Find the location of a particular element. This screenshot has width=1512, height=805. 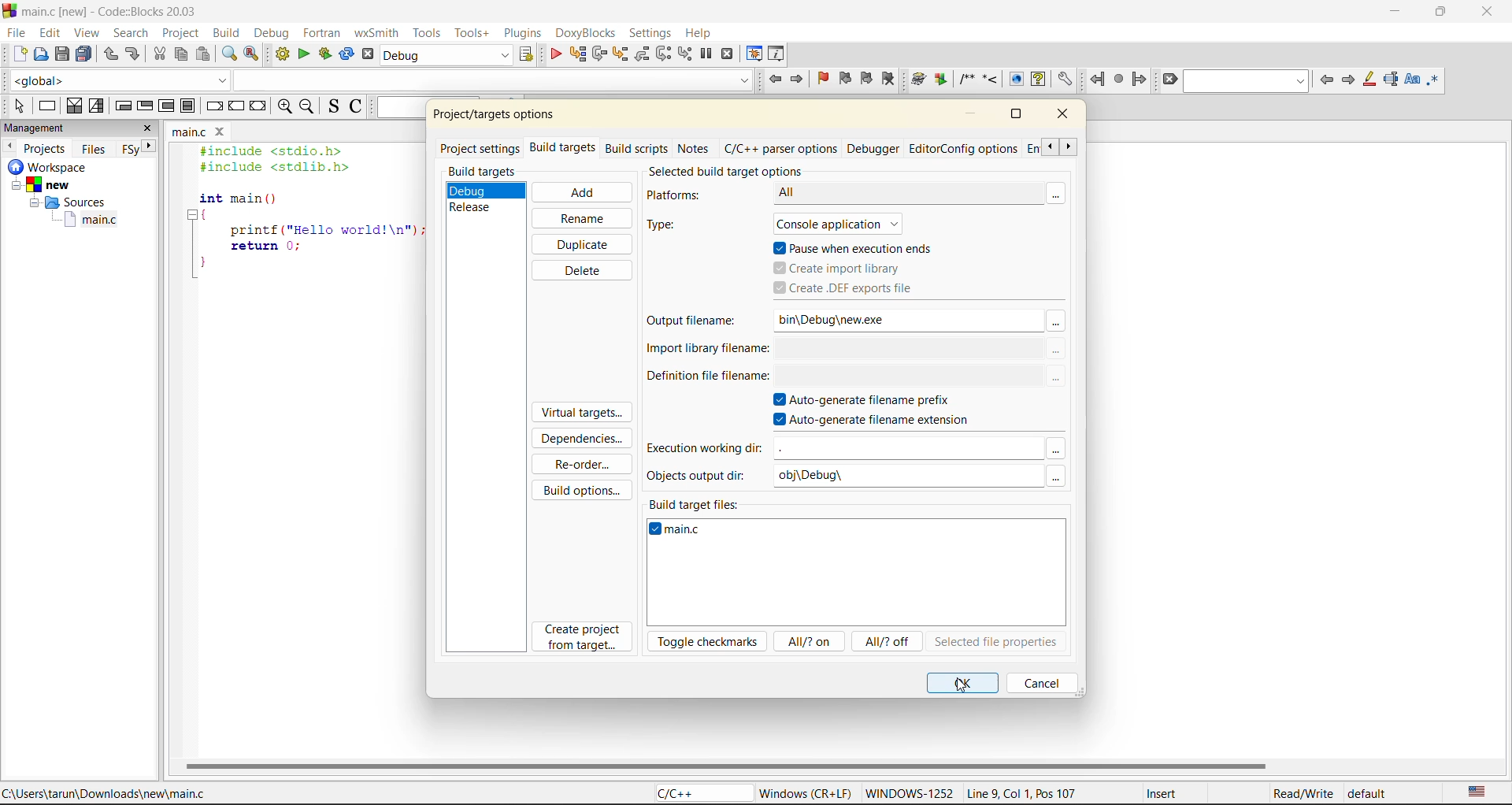

toggle checkmarks is located at coordinates (709, 642).